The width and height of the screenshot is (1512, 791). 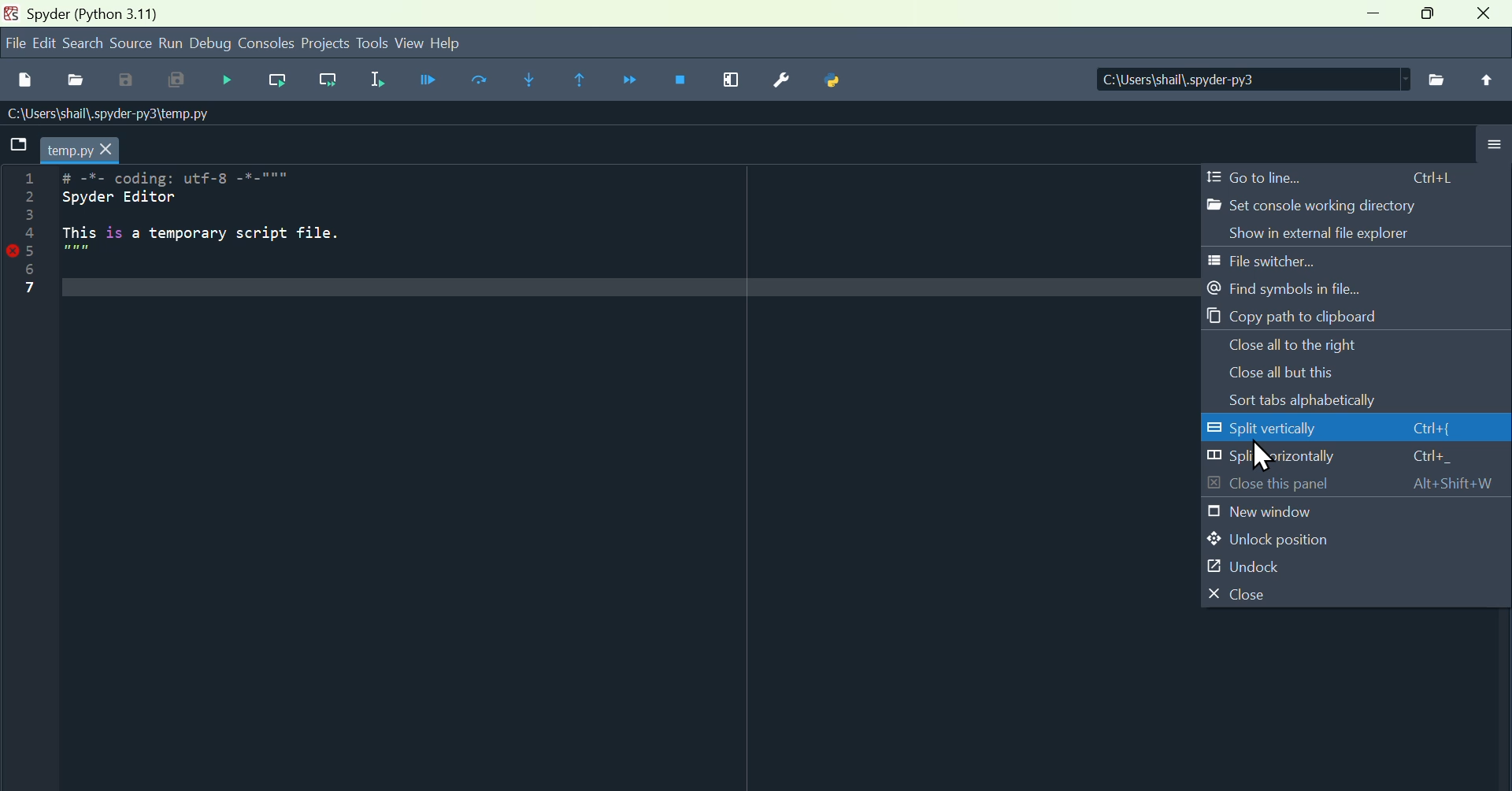 What do you see at coordinates (781, 82) in the screenshot?
I see `Settings` at bounding box center [781, 82].